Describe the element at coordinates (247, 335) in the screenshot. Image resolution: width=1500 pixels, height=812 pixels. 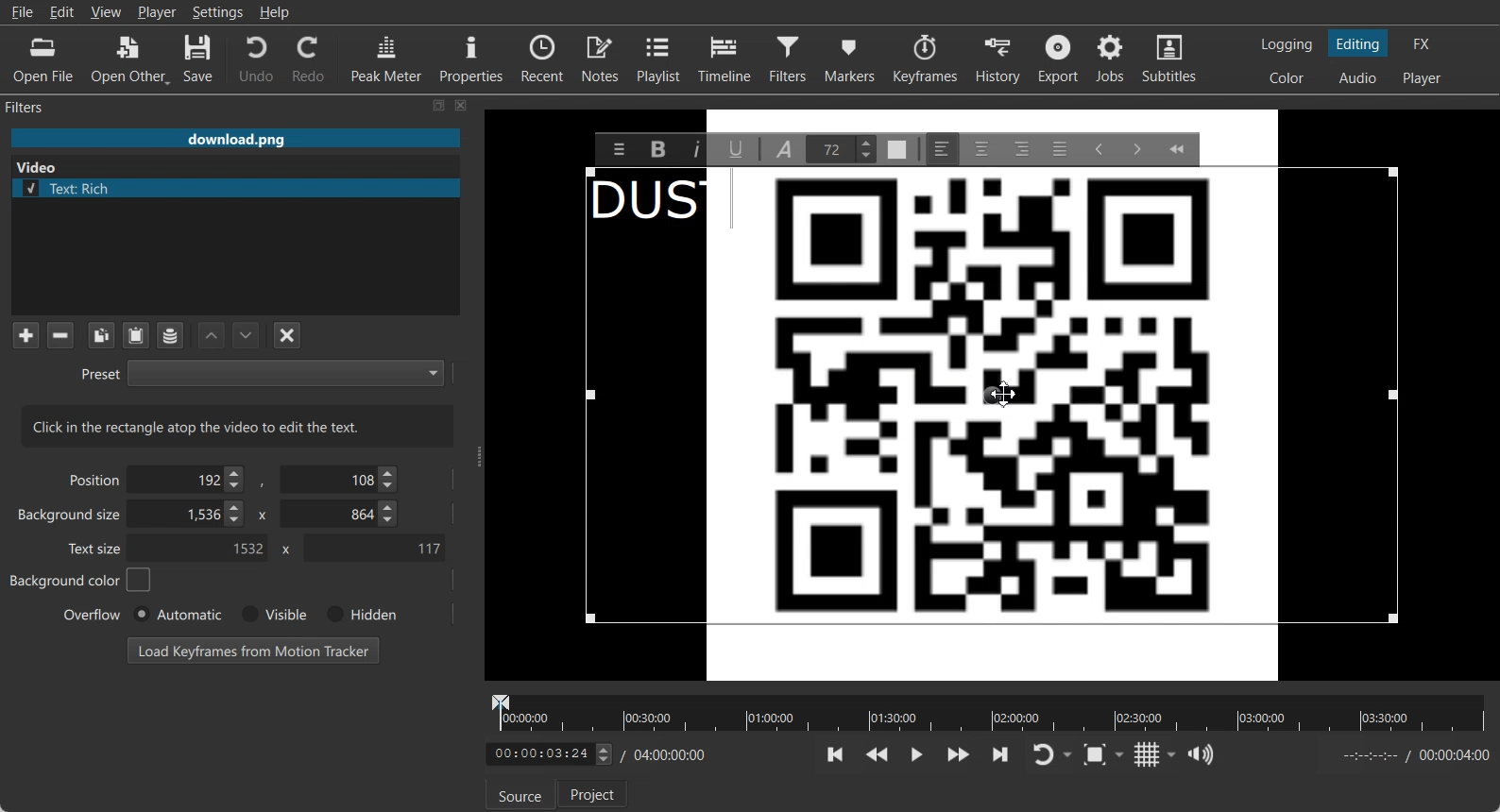
I see `Move Filter Down` at that location.